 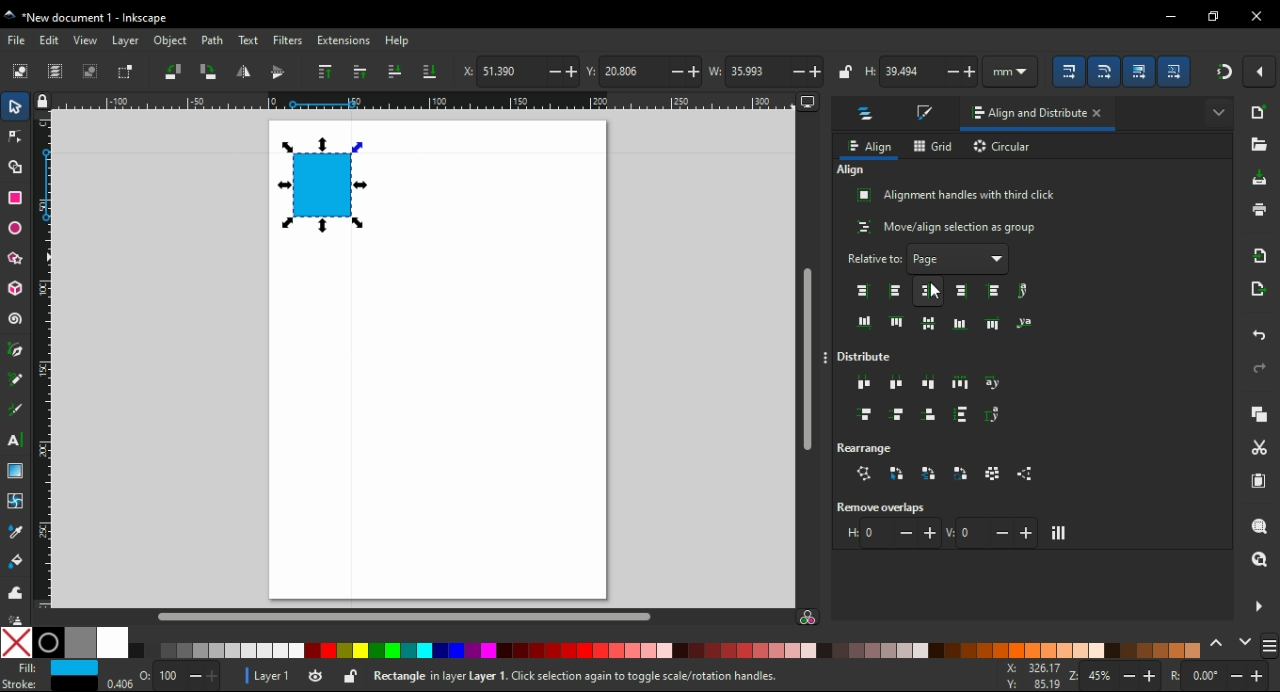 I want to click on exchange positions of selected objects - rotate around center point, so click(x=962, y=474).